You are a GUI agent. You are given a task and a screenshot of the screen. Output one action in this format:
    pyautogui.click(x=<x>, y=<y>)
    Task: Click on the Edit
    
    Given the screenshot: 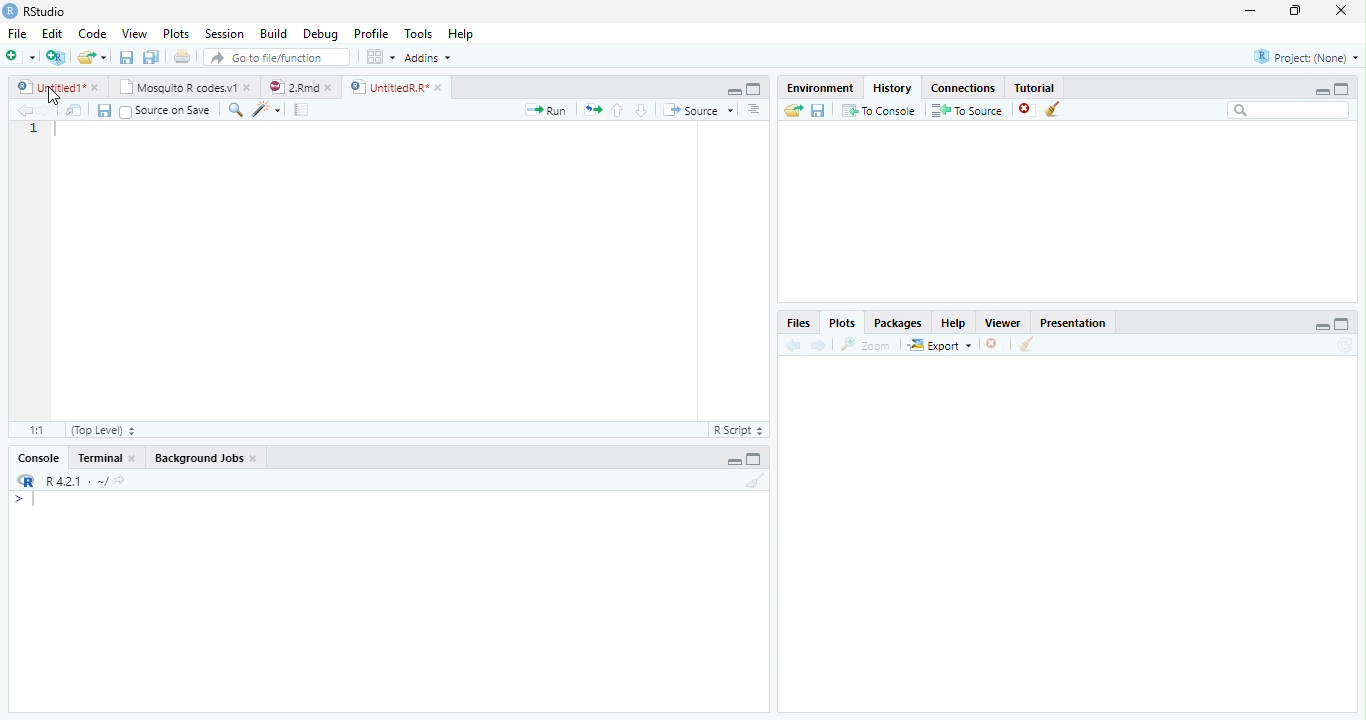 What is the action you would take?
    pyautogui.click(x=54, y=33)
    